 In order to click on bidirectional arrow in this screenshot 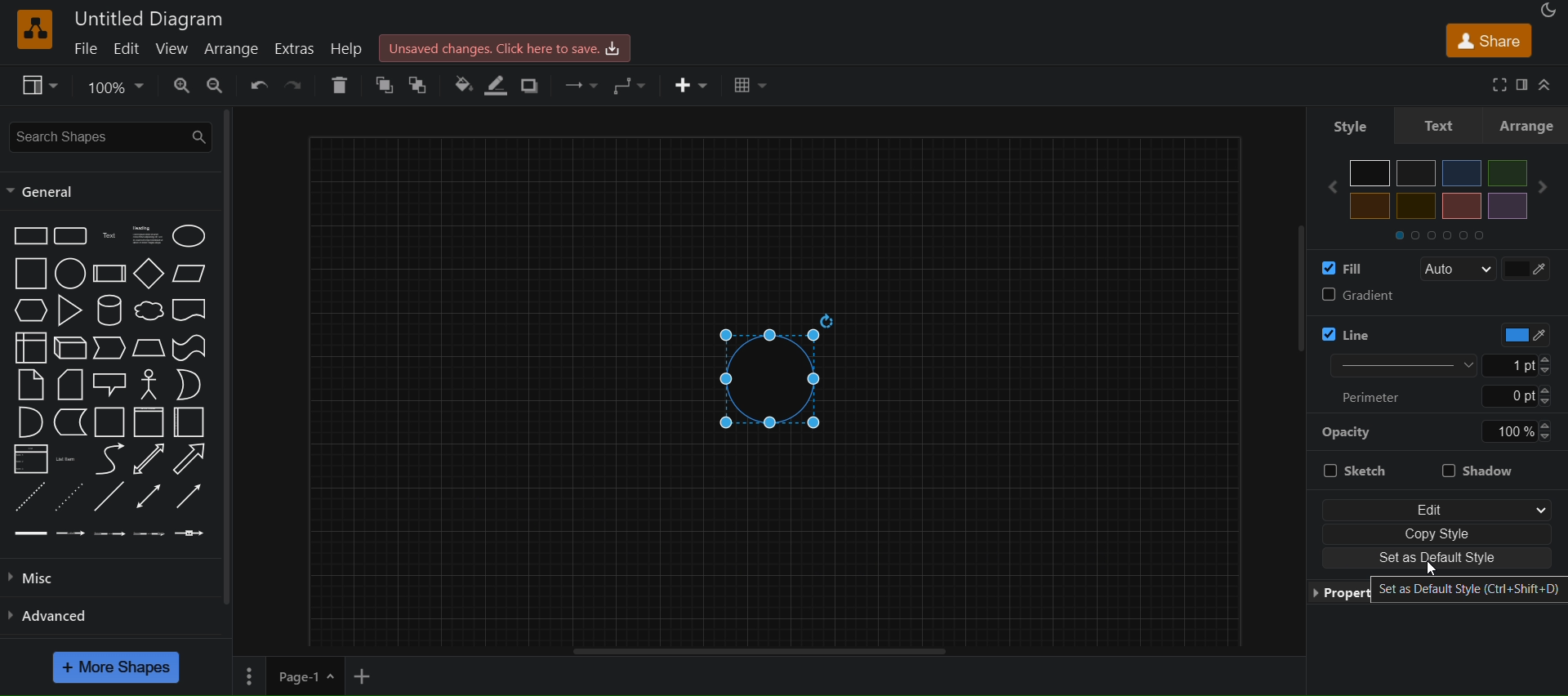, I will do `click(145, 460)`.